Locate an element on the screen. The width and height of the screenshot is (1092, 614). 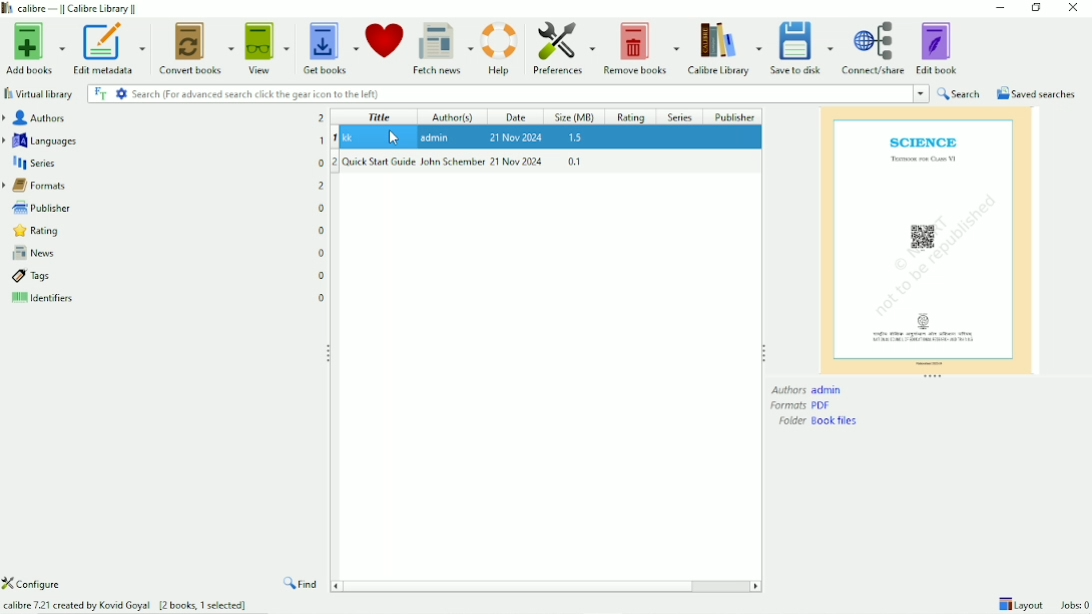
Identifiers is located at coordinates (40, 300).